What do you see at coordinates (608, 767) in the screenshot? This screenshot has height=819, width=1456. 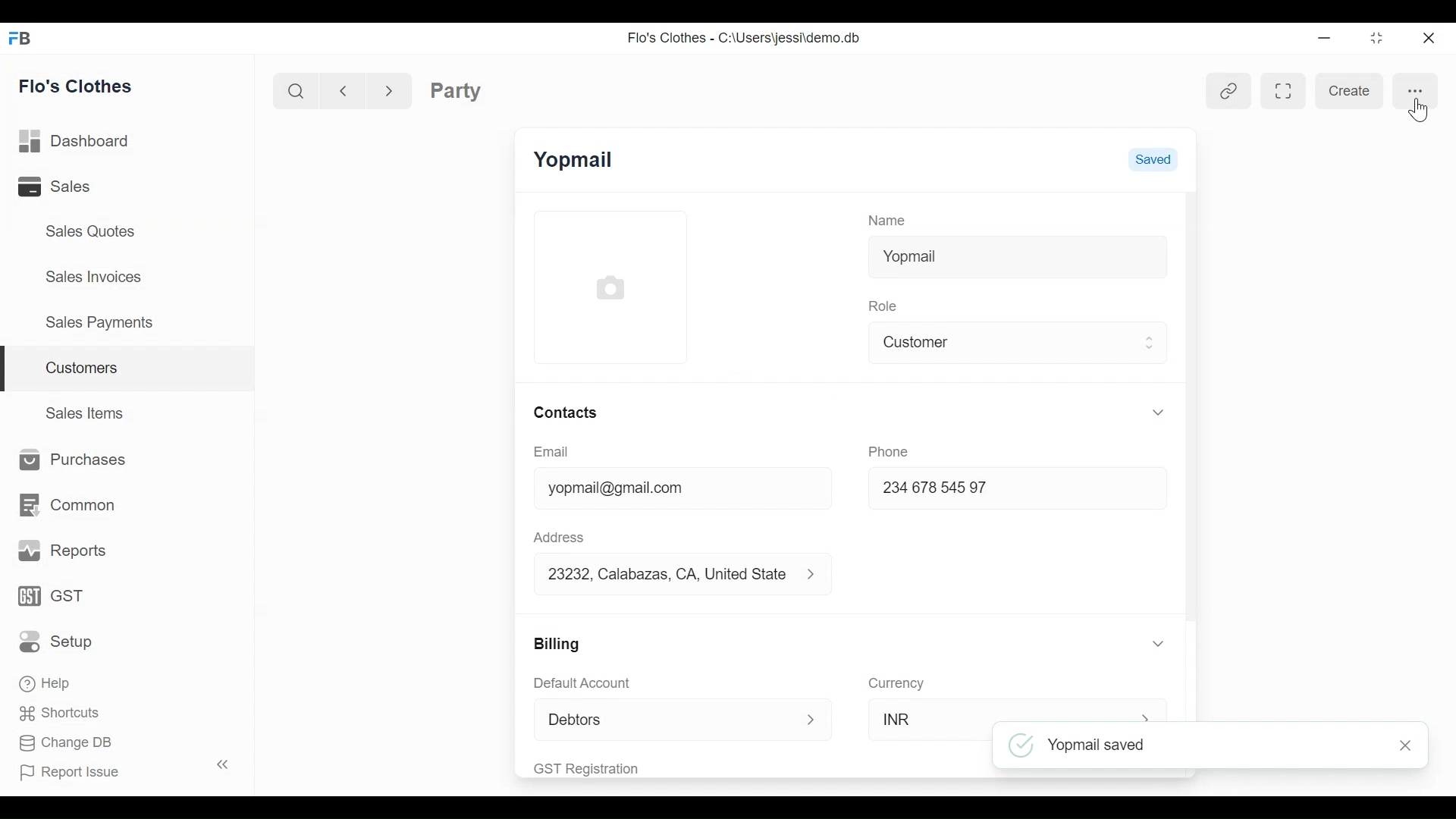 I see `GST Registration` at bounding box center [608, 767].